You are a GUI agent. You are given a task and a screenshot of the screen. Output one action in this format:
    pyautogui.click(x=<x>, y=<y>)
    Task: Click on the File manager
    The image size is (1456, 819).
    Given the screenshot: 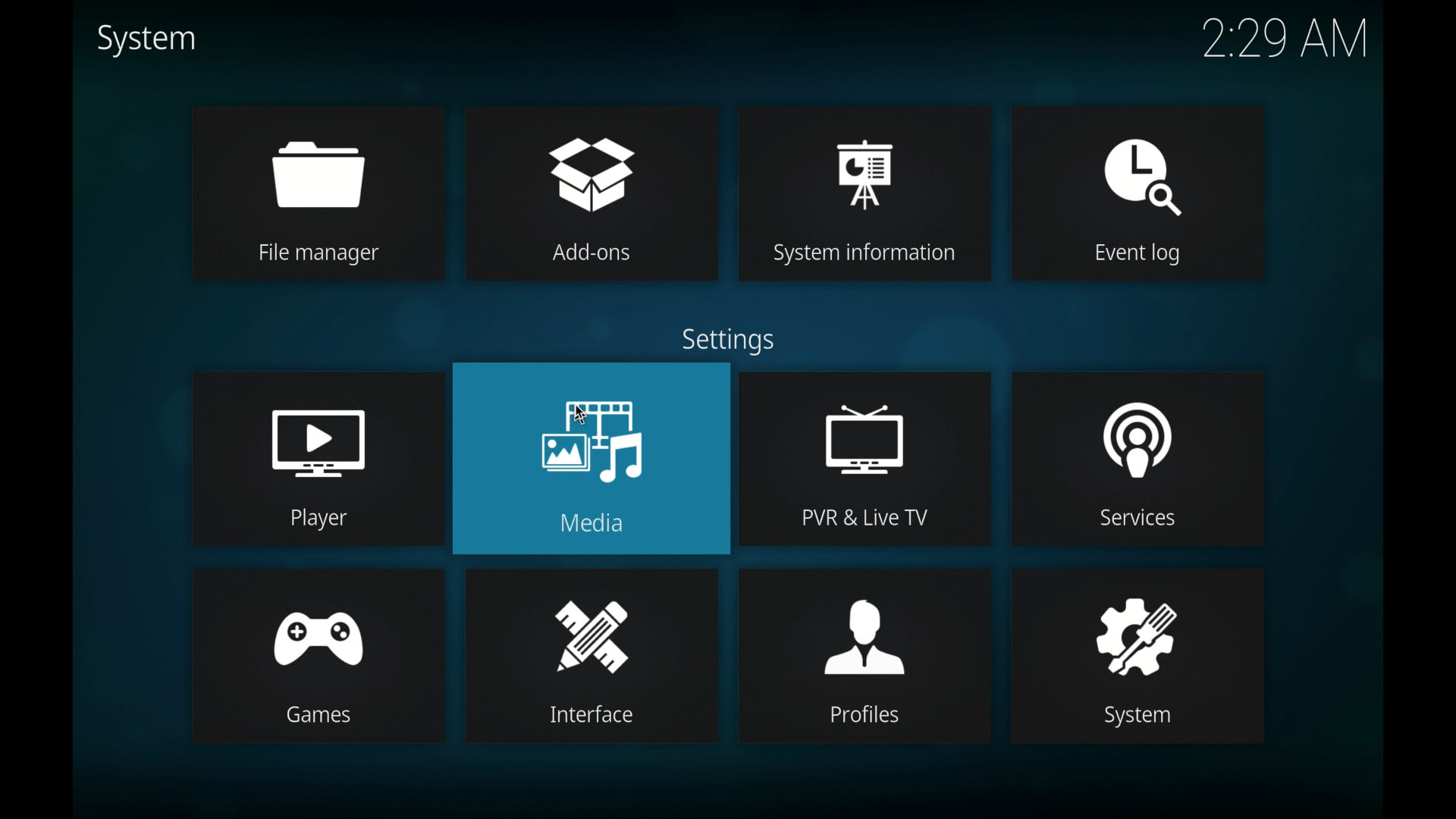 What is the action you would take?
    pyautogui.click(x=322, y=254)
    